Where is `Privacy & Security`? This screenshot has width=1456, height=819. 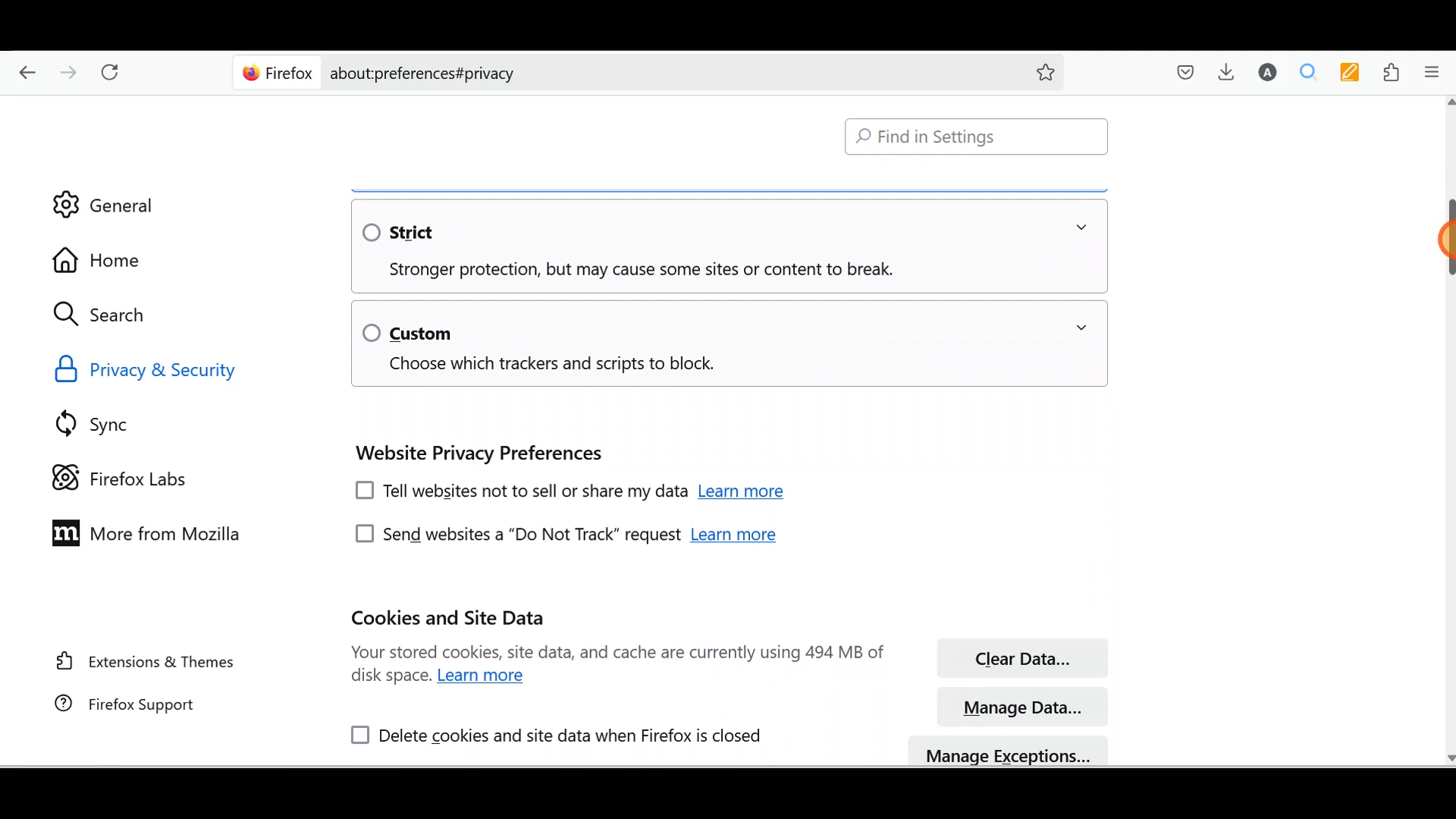
Privacy & Security is located at coordinates (165, 370).